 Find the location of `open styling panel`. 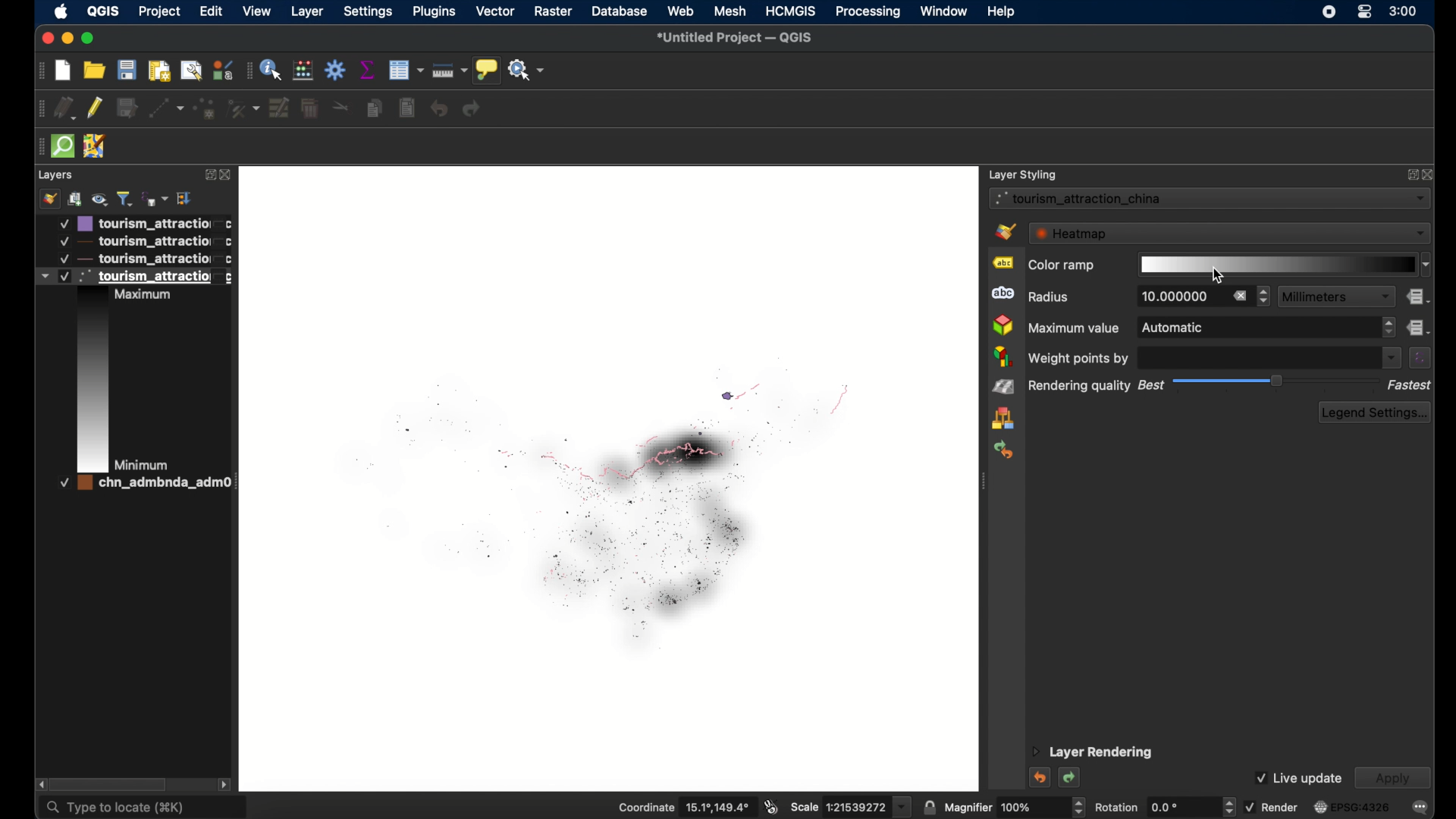

open styling panel is located at coordinates (49, 199).